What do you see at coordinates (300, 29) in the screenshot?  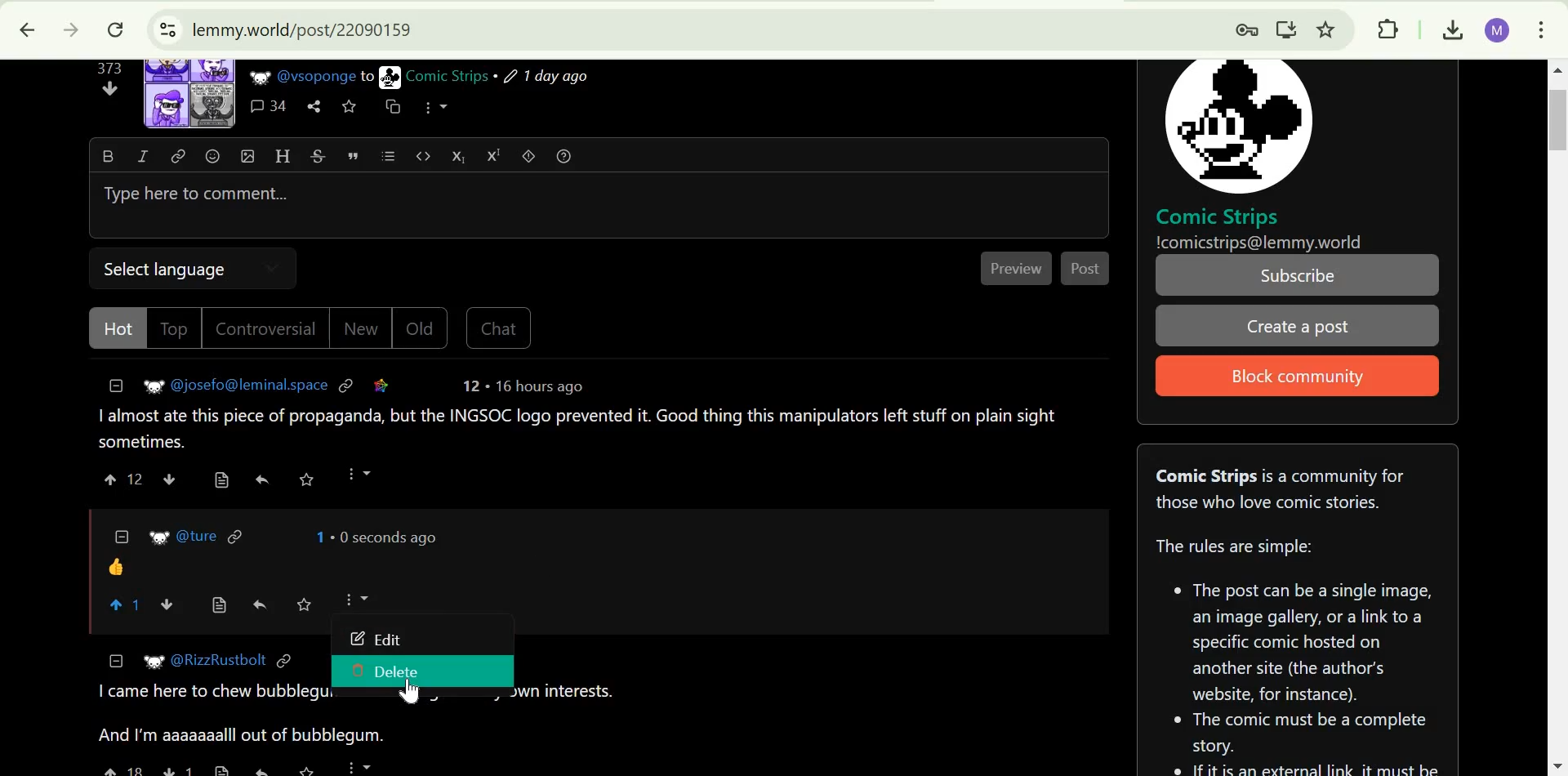 I see `lemmy.world/post/22090159` at bounding box center [300, 29].